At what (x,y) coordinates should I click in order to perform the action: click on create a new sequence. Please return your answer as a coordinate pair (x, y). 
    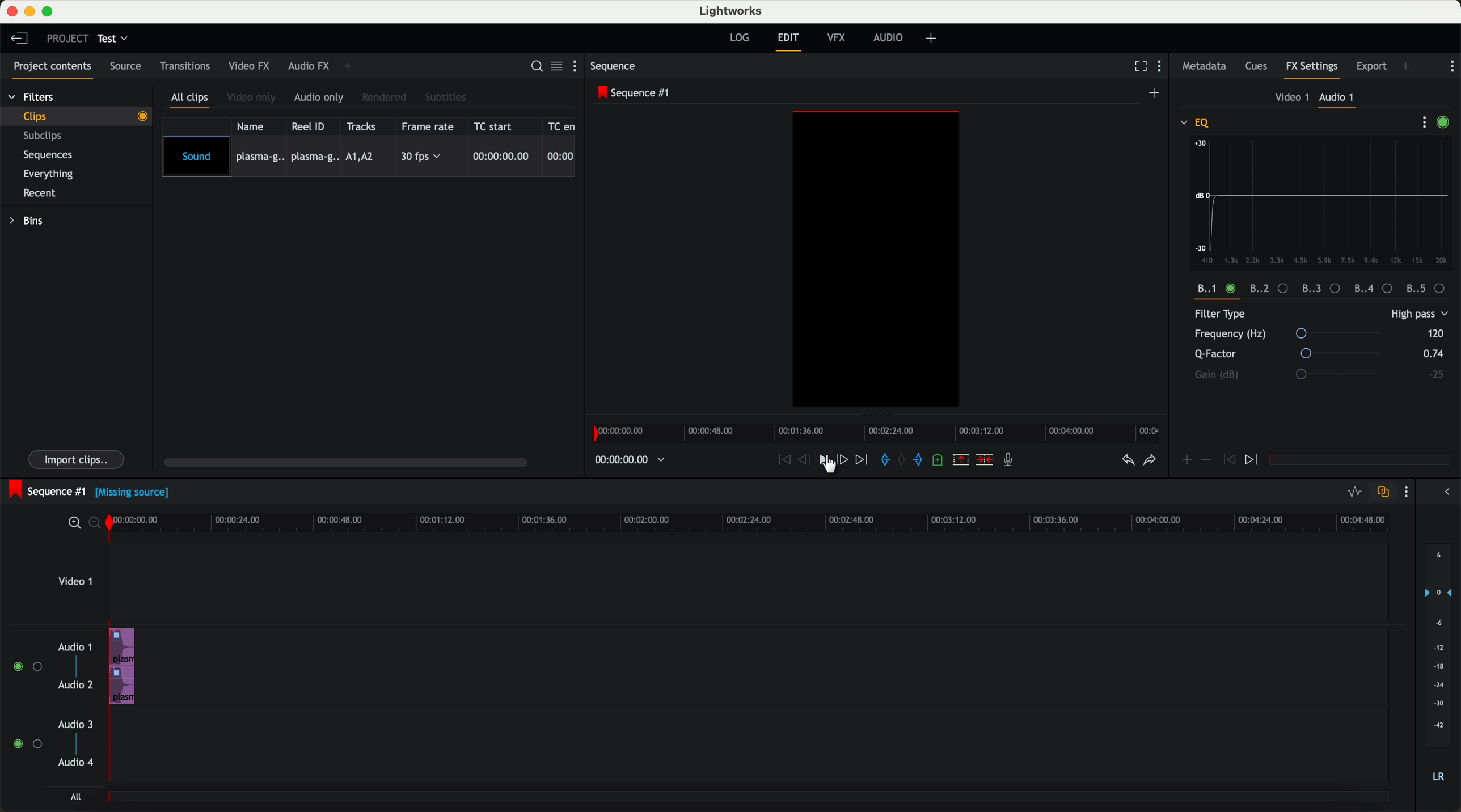
    Looking at the image, I should click on (1155, 92).